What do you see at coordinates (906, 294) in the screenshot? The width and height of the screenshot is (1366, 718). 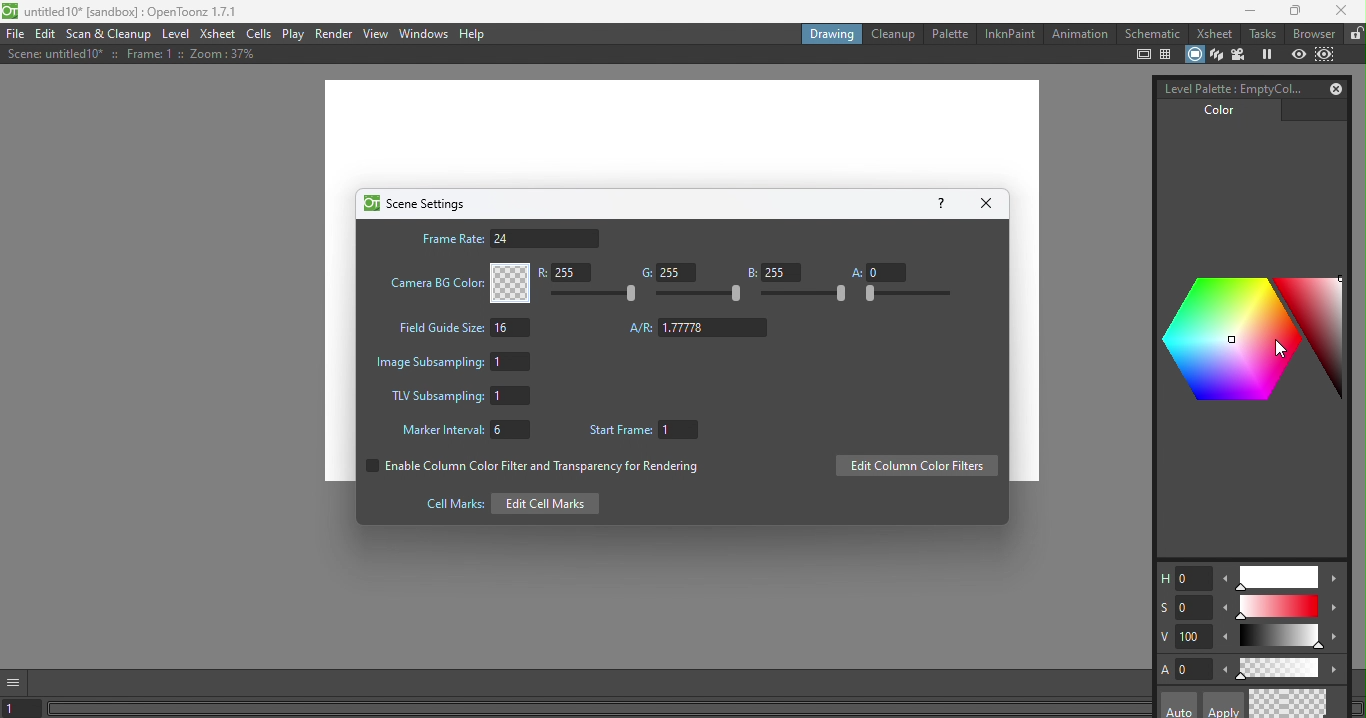 I see `Slide bar` at bounding box center [906, 294].